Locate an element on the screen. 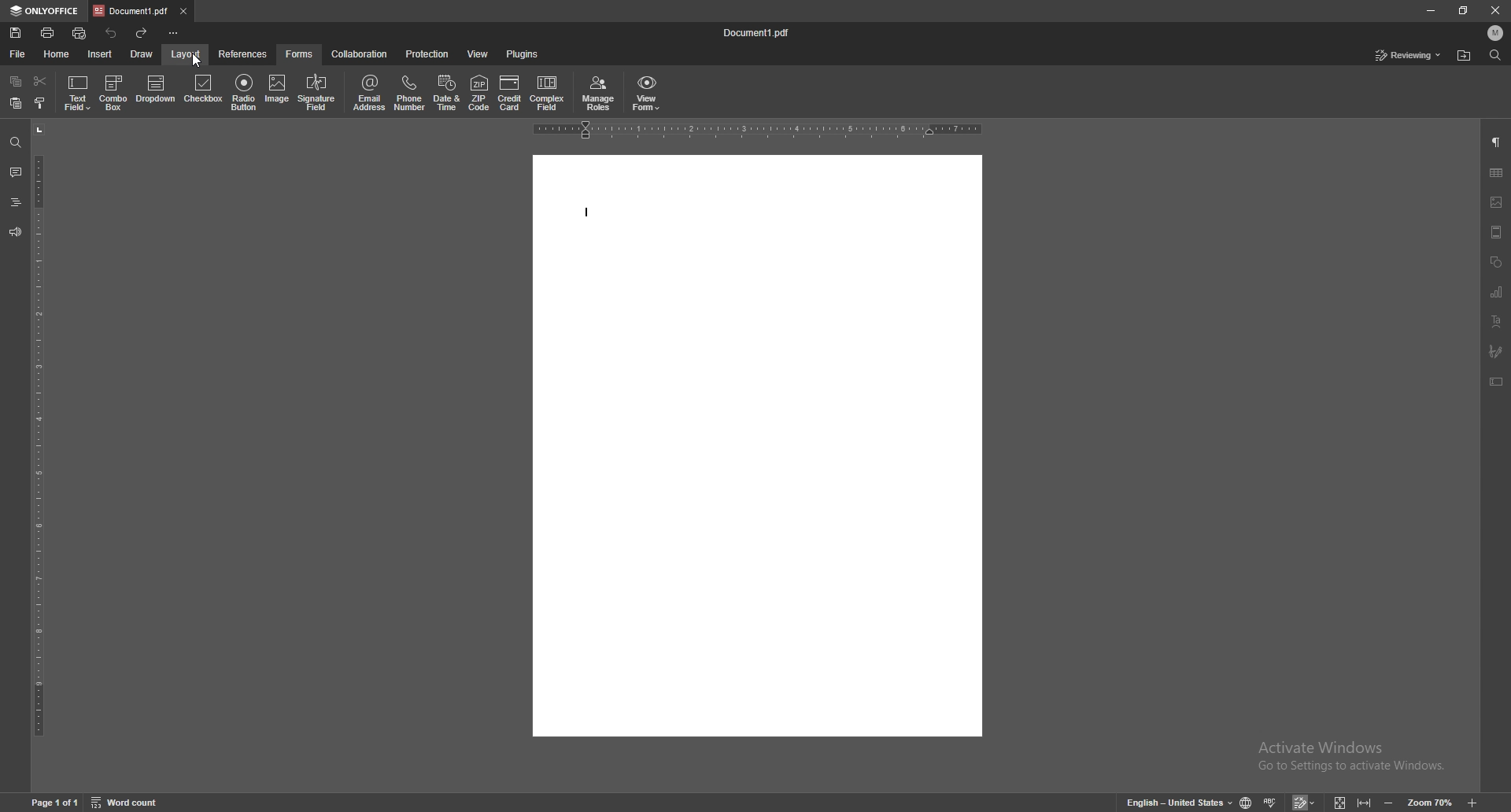 This screenshot has width=1511, height=812. draw is located at coordinates (142, 54).